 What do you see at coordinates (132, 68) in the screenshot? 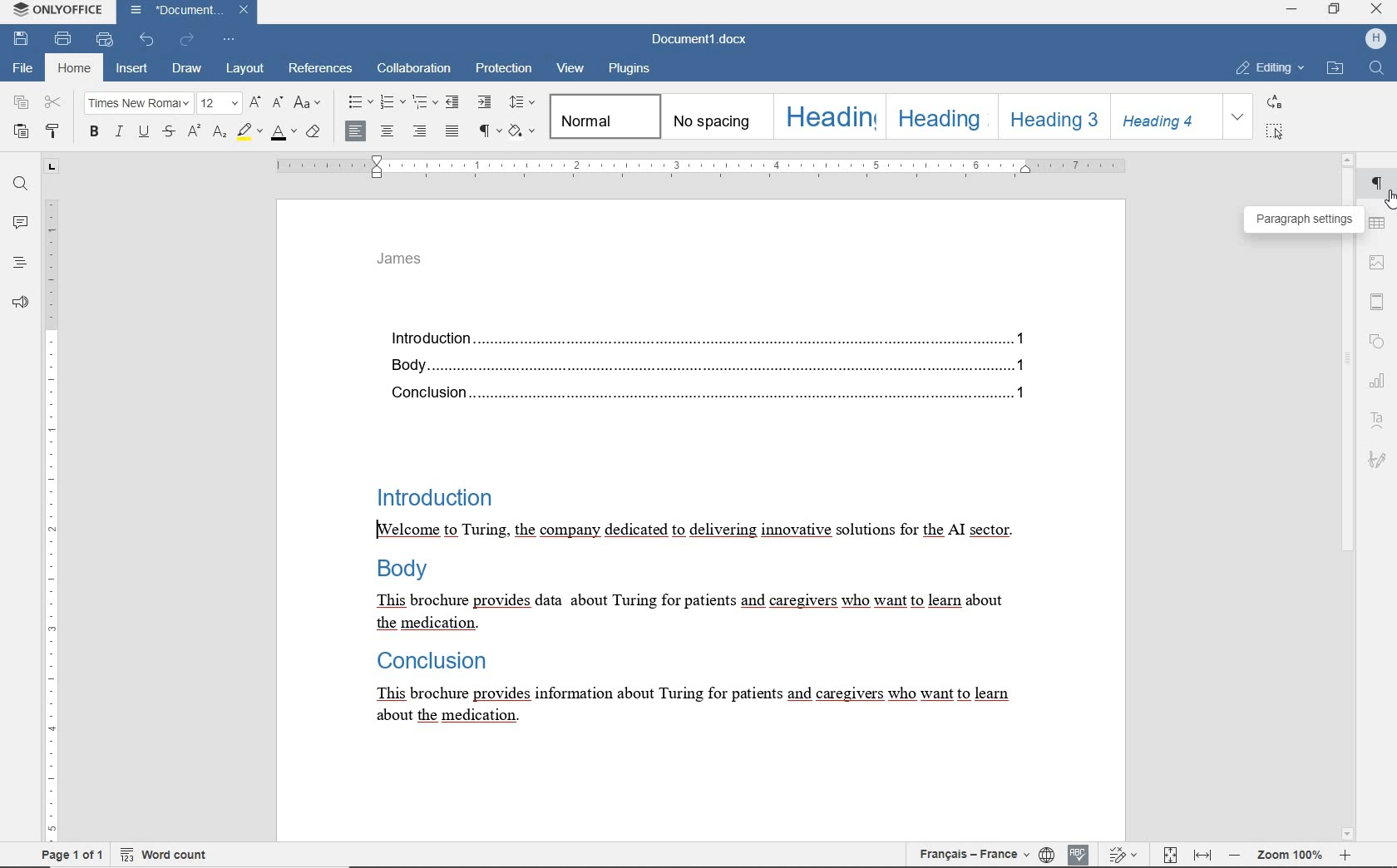
I see `insert` at bounding box center [132, 68].